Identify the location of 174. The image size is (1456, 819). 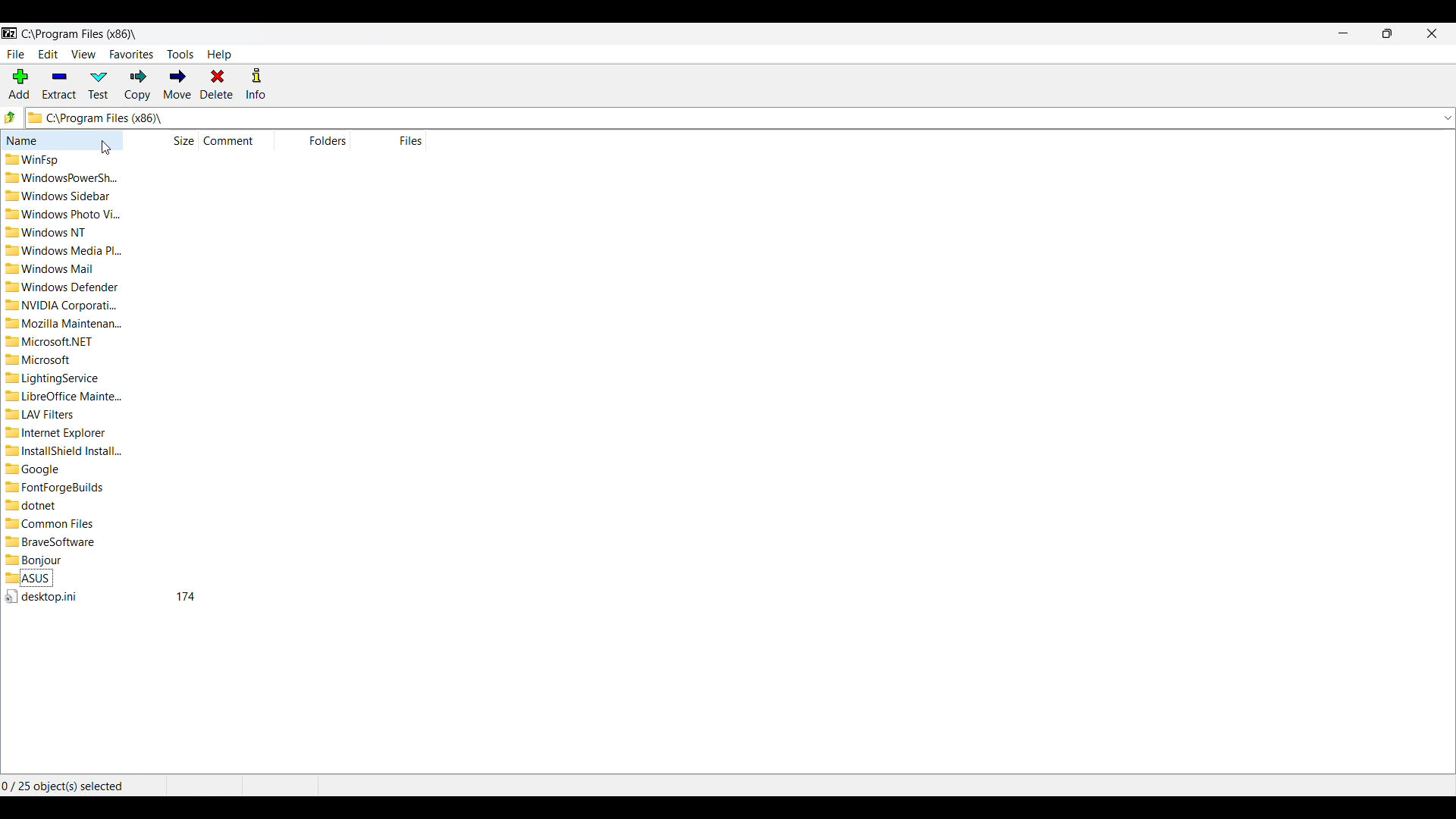
(187, 597).